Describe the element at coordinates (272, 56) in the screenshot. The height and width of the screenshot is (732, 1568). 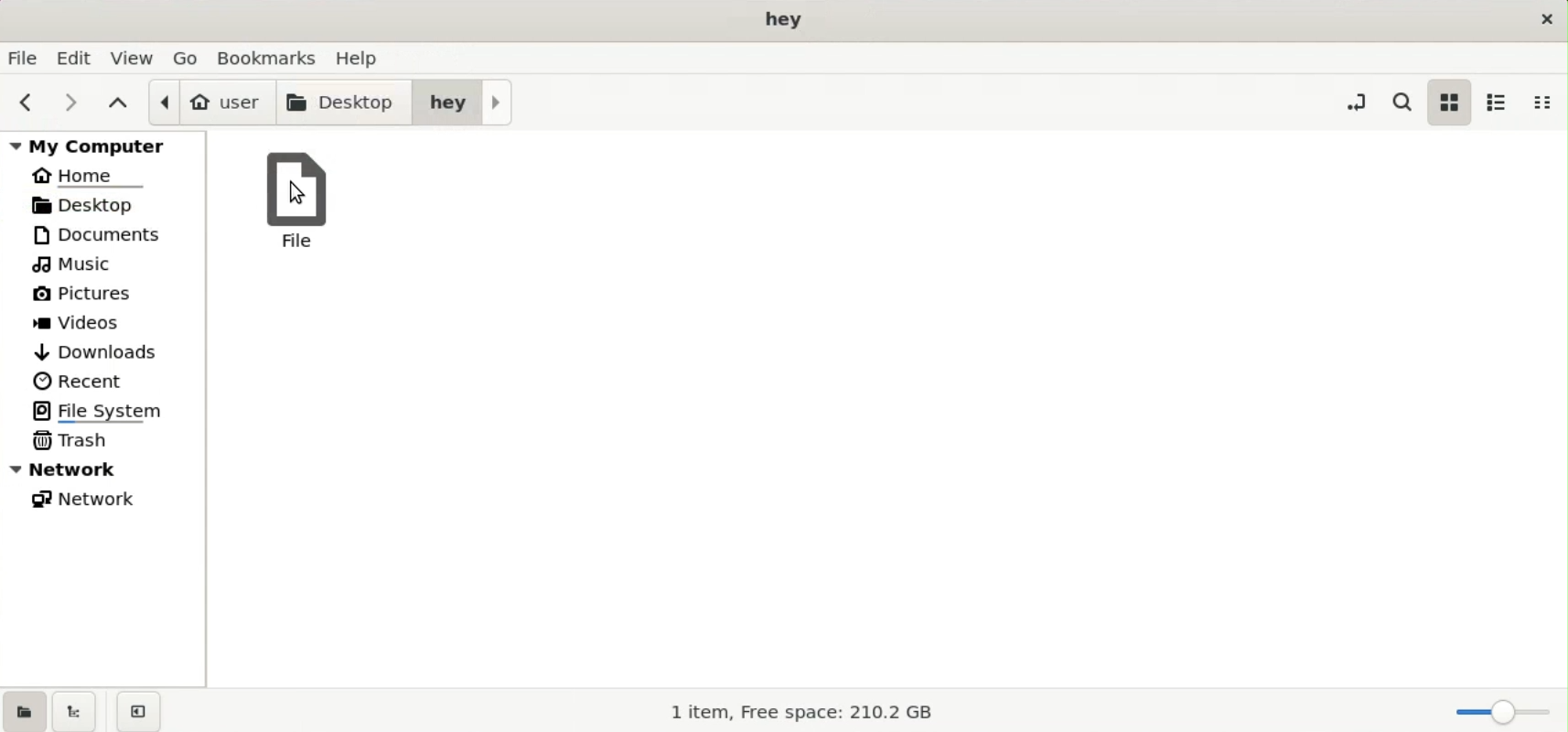
I see `bookmarks` at that location.